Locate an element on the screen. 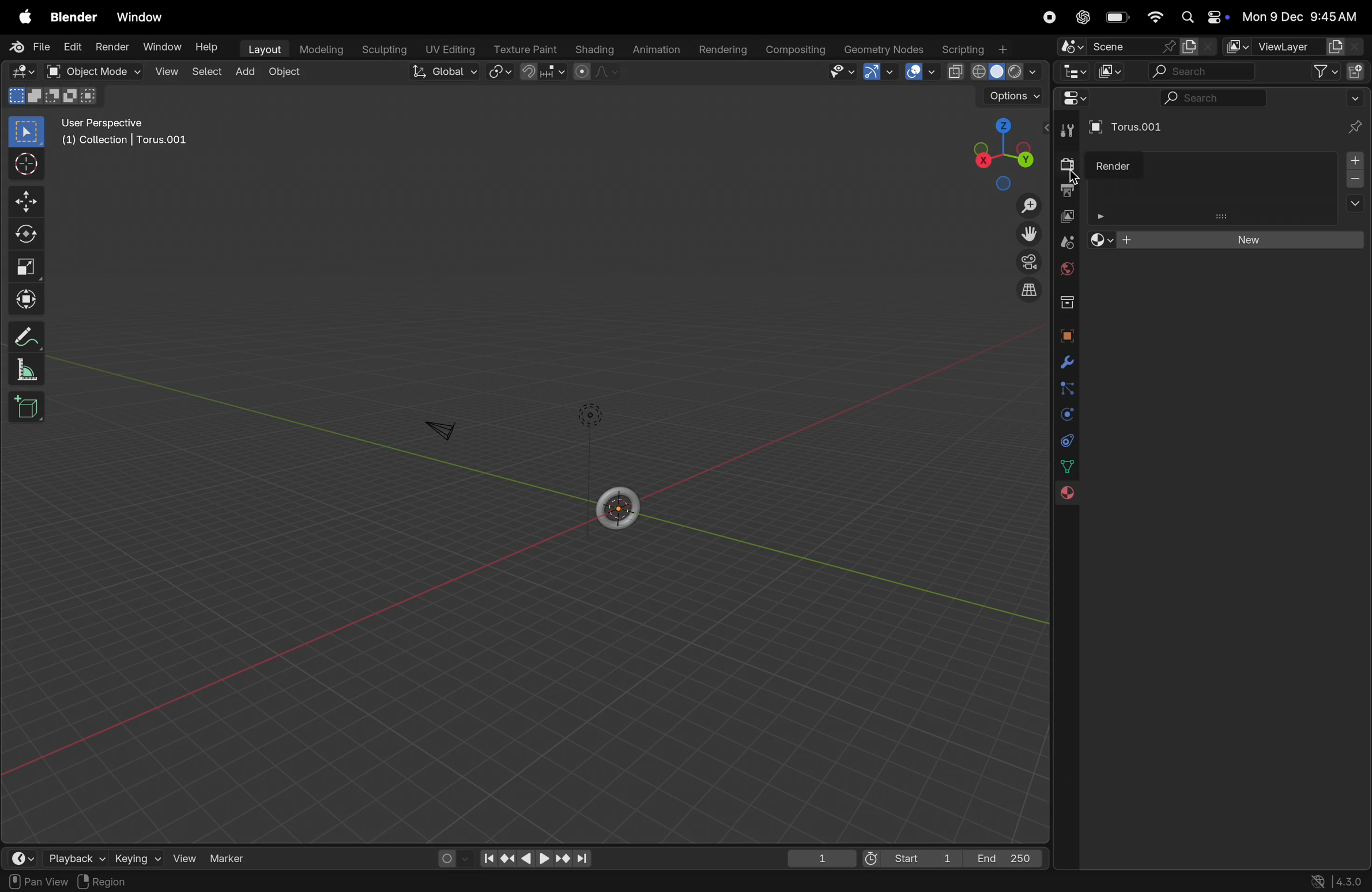 This screenshot has width=1372, height=892. material is located at coordinates (1071, 494).